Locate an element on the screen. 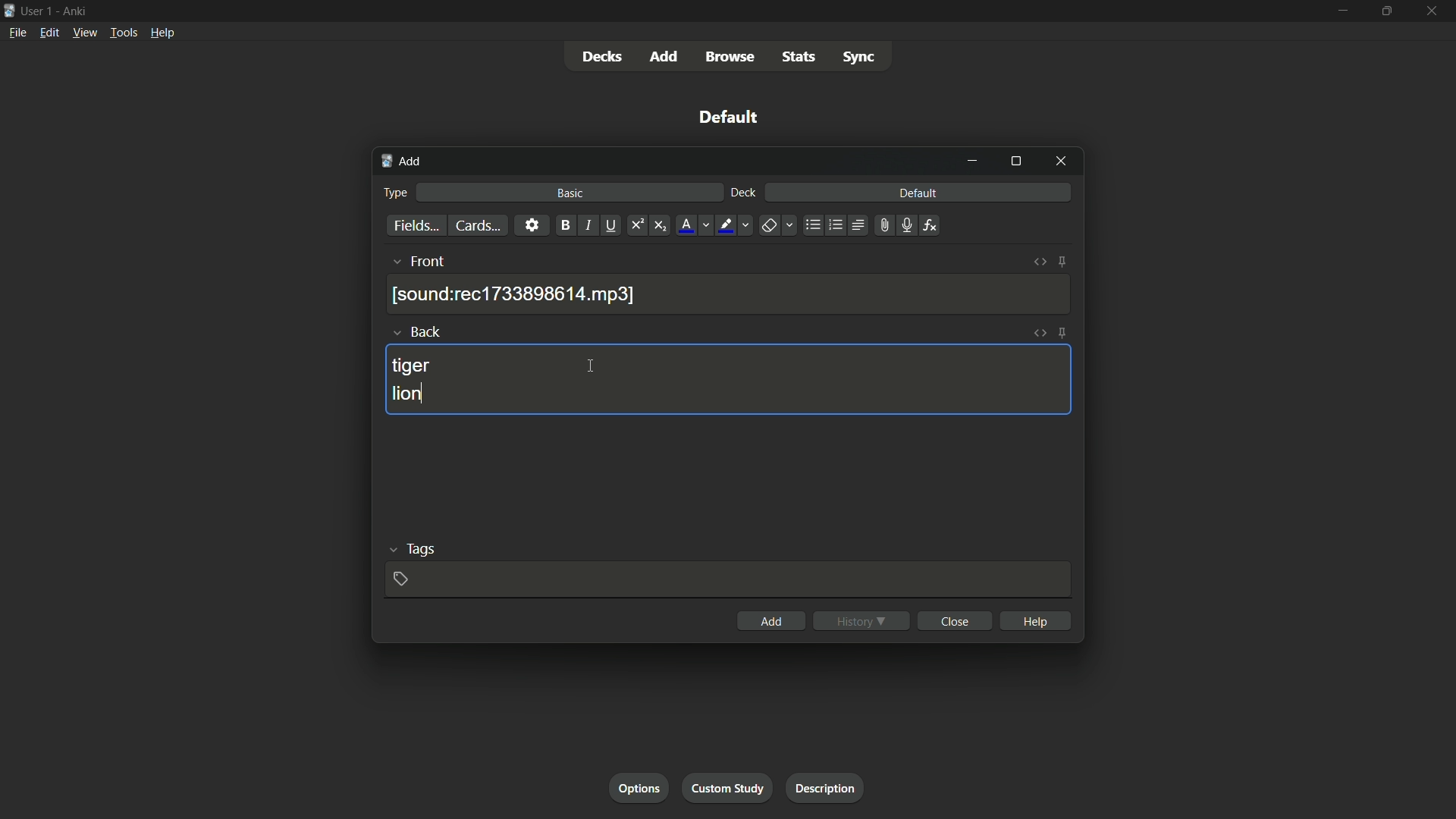  settings is located at coordinates (531, 225).